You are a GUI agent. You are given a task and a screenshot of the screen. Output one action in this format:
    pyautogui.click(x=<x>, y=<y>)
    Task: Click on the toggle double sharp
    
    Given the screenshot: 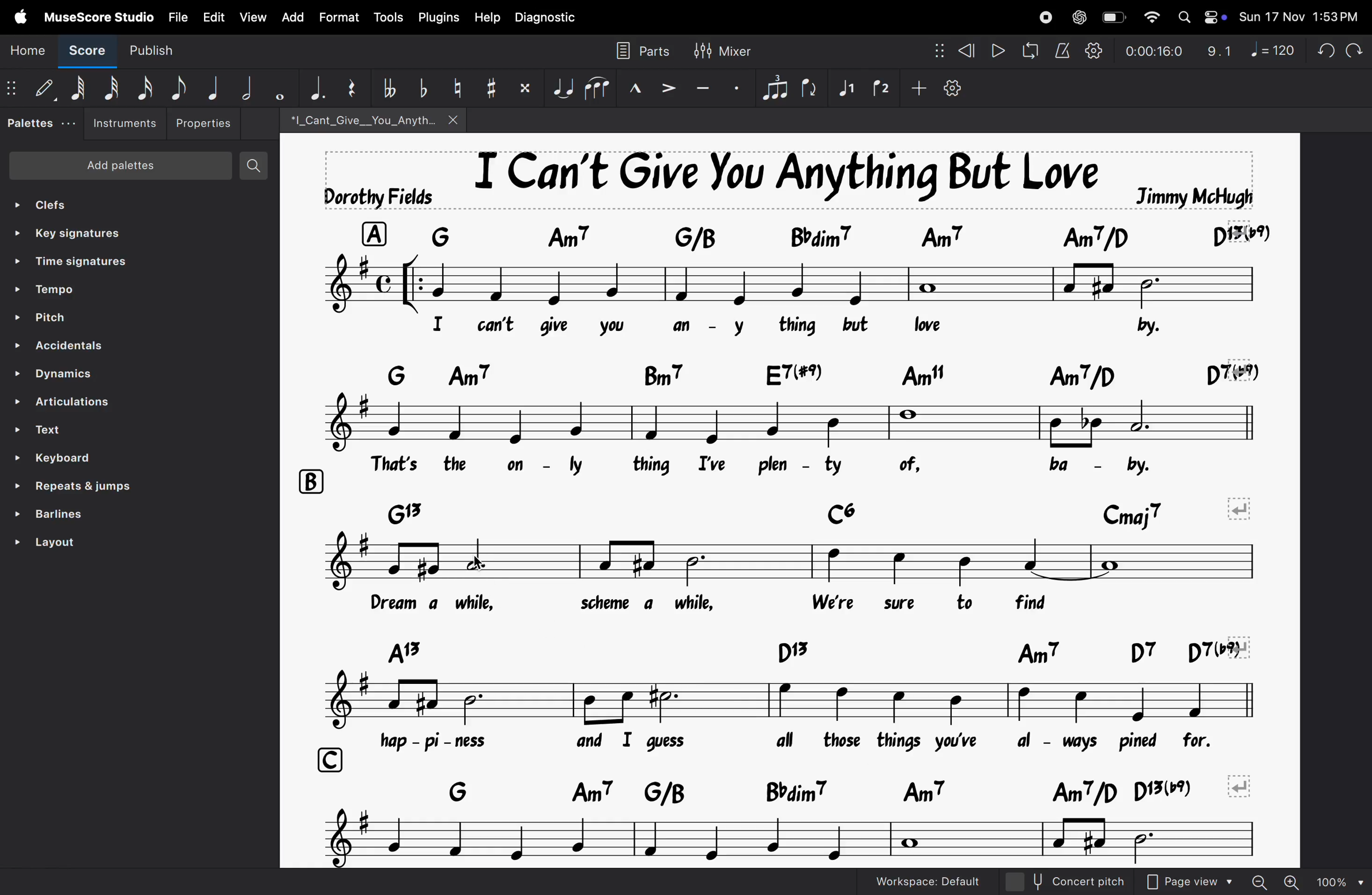 What is the action you would take?
    pyautogui.click(x=525, y=88)
    